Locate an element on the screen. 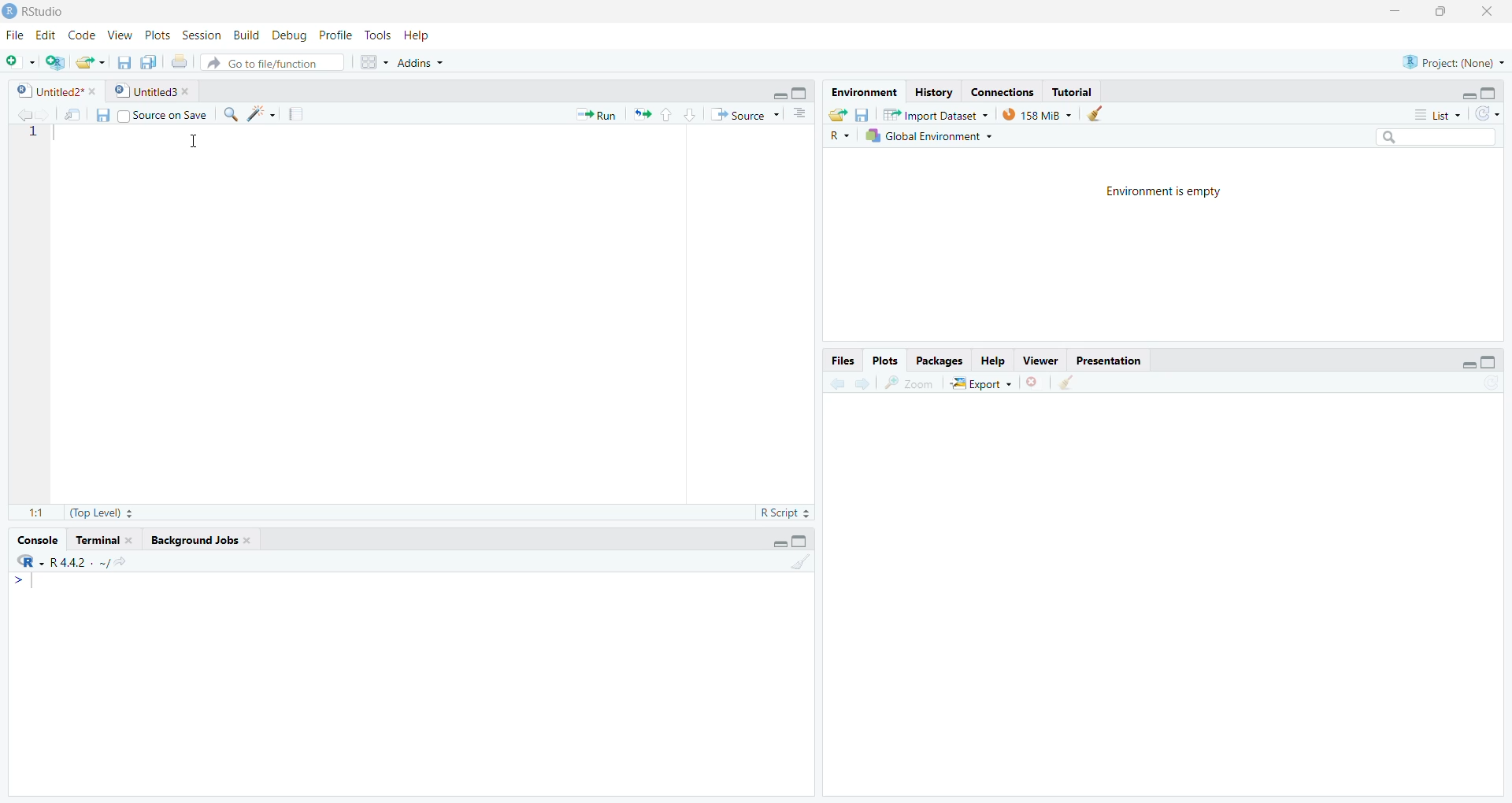 Image resolution: width=1512 pixels, height=803 pixels. text cursor is located at coordinates (191, 139).